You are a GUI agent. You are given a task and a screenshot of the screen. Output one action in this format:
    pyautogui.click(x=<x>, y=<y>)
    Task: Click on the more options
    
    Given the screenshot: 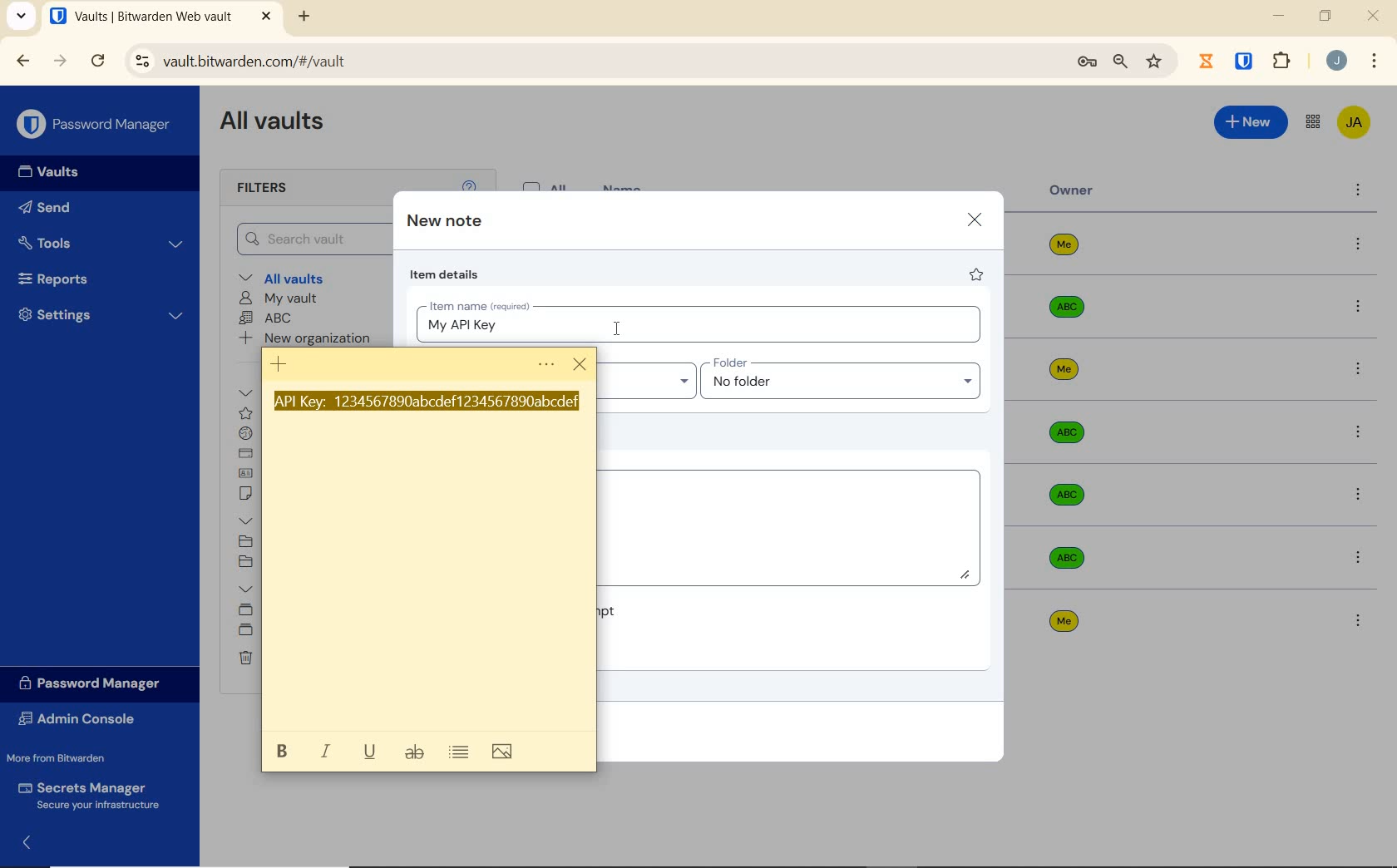 What is the action you would take?
    pyautogui.click(x=1358, y=620)
    